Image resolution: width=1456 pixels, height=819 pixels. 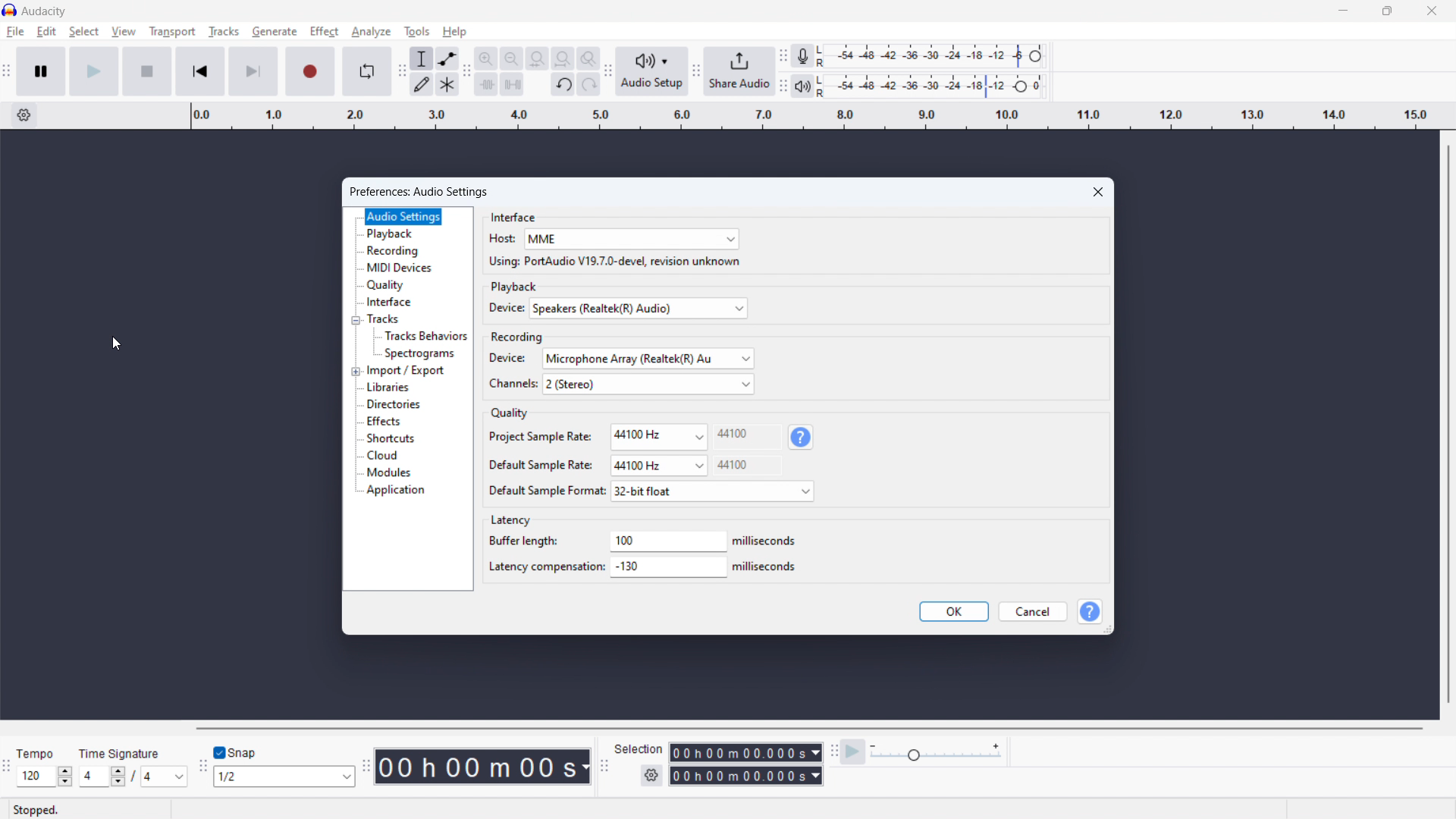 What do you see at coordinates (503, 239) in the screenshot?
I see `Host` at bounding box center [503, 239].